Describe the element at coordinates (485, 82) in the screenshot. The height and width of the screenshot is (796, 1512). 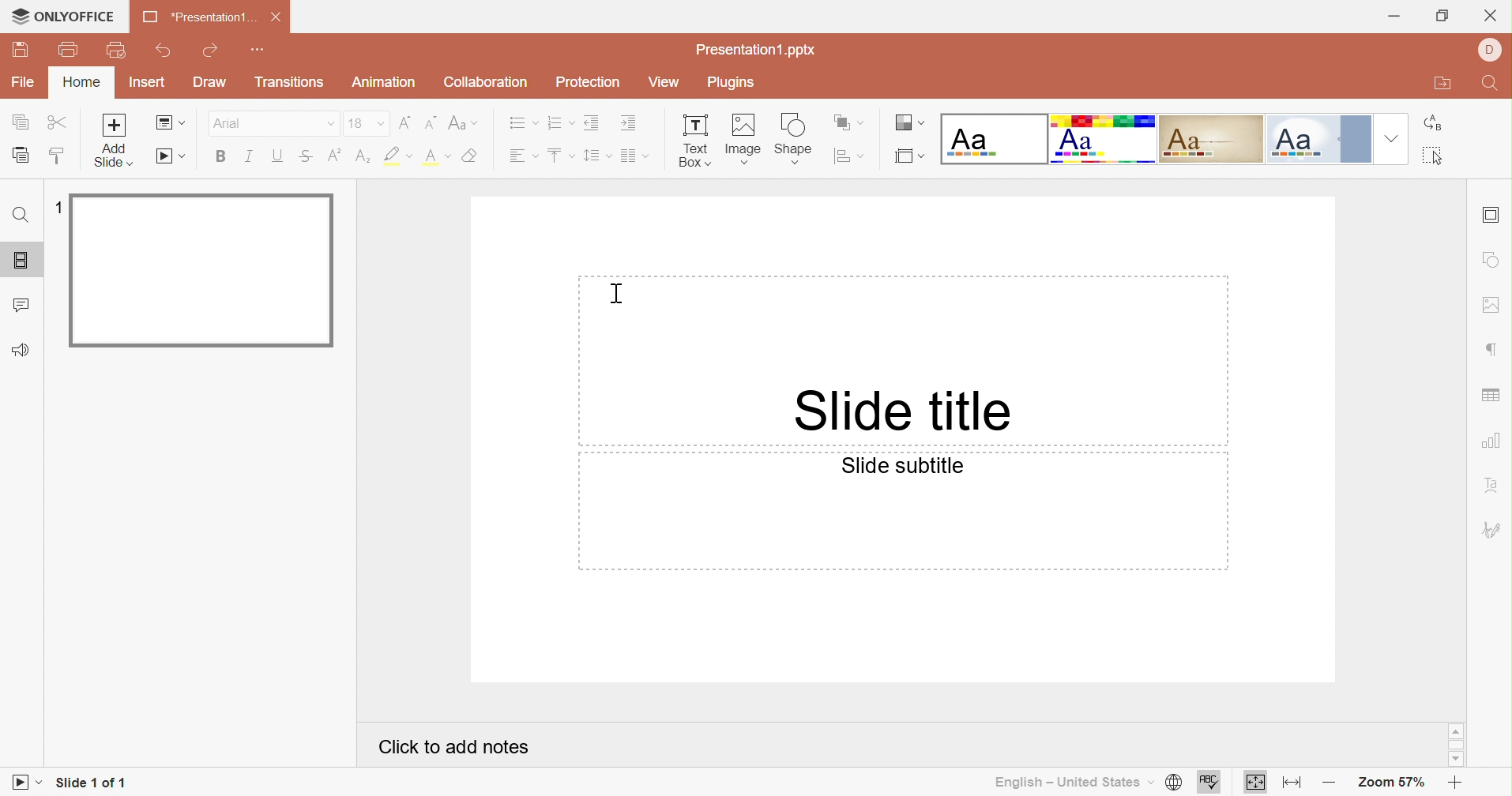
I see `Collaboration` at that location.